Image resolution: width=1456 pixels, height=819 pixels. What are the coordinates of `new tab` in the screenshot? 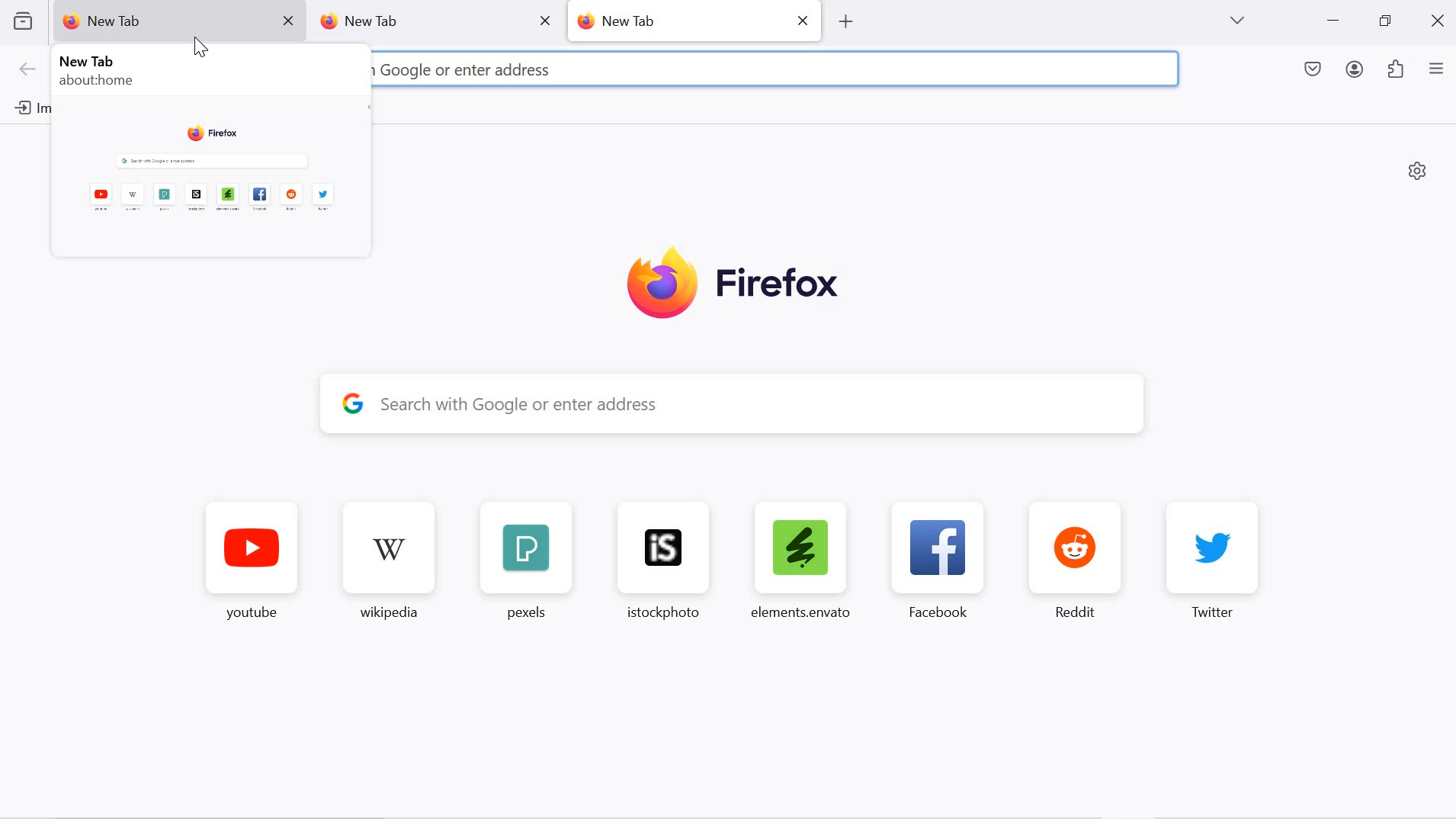 It's located at (159, 21).